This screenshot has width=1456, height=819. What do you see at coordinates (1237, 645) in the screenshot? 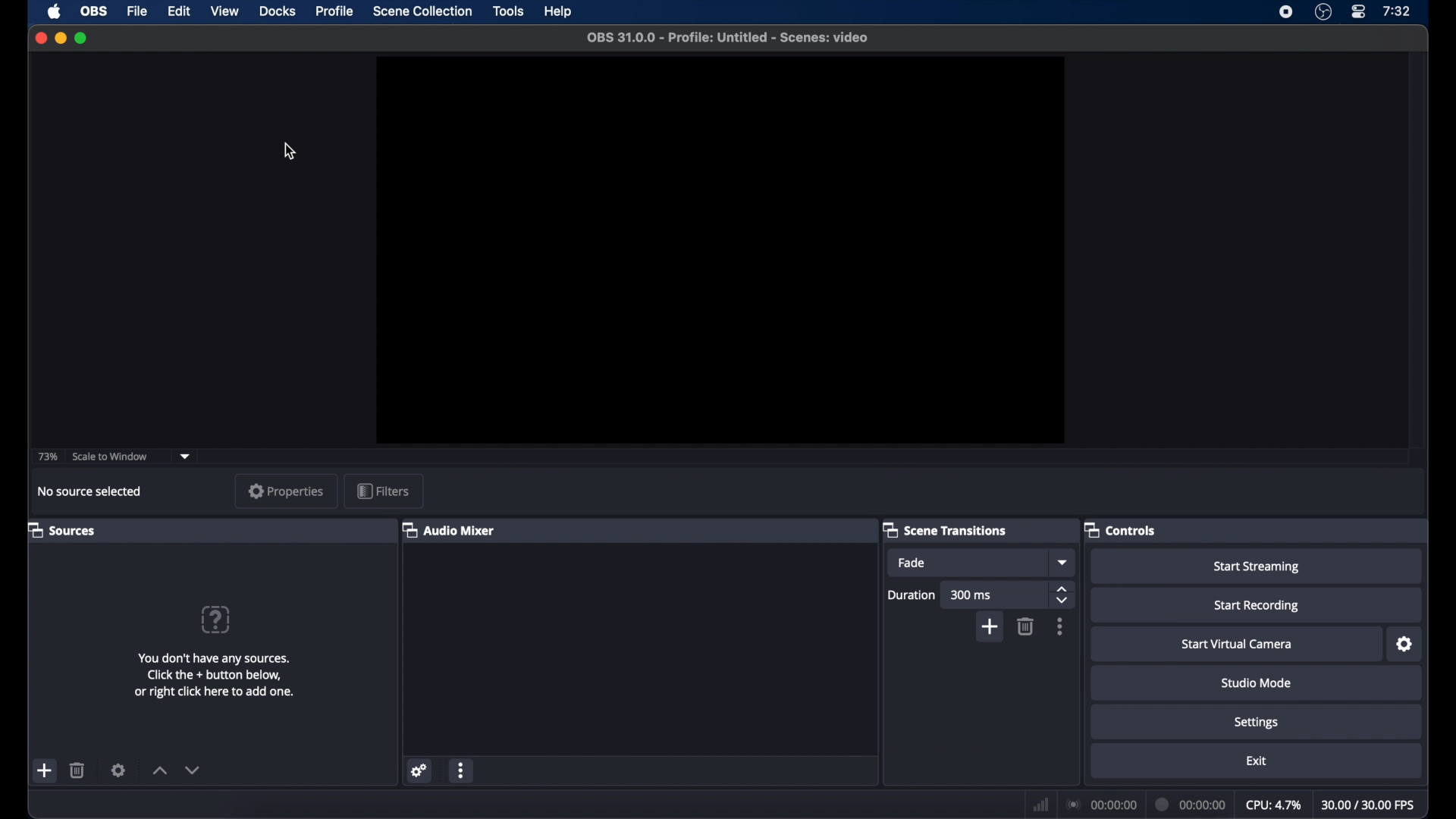
I see `start virtual camera` at bounding box center [1237, 645].